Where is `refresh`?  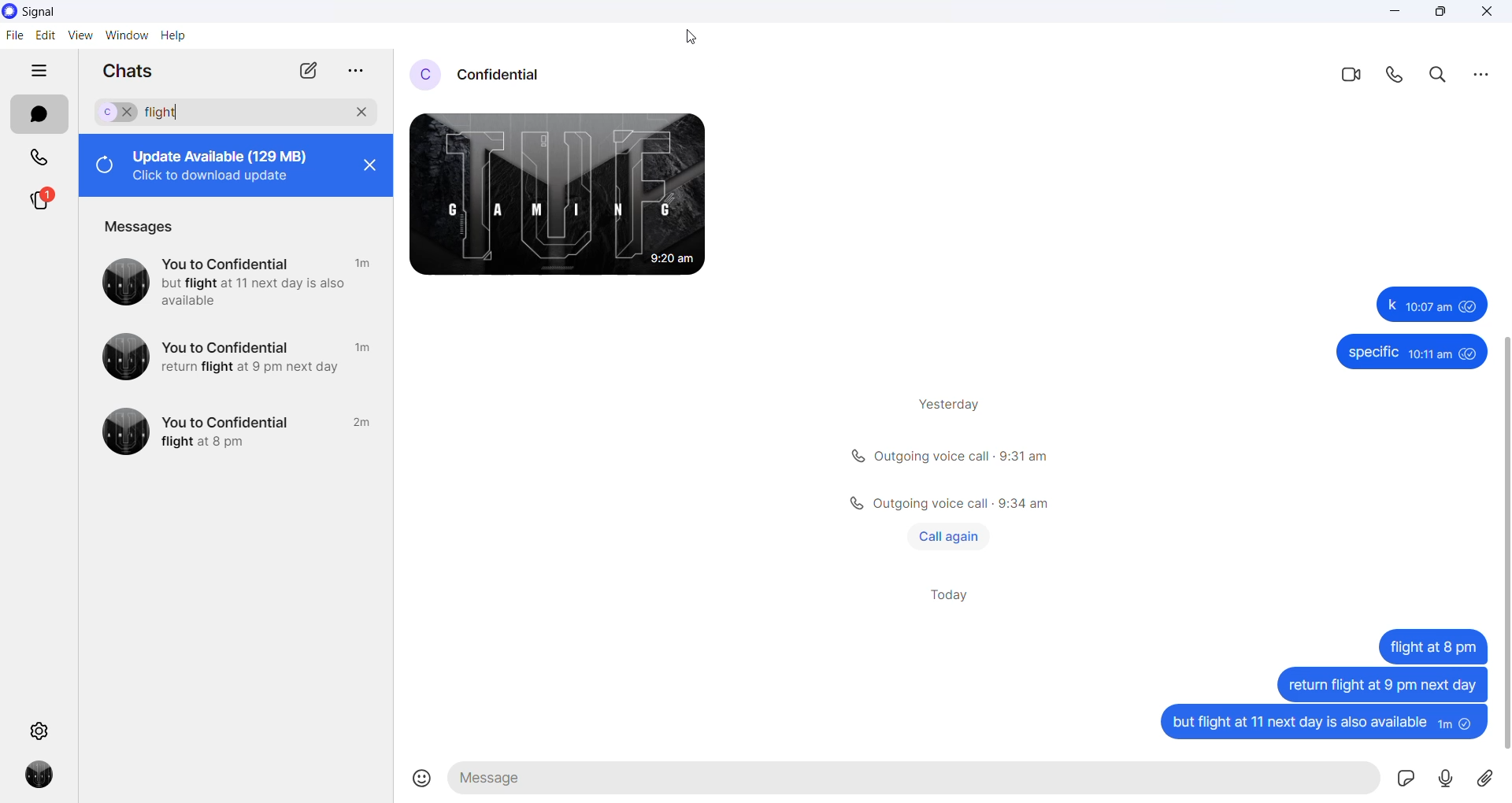 refresh is located at coordinates (102, 167).